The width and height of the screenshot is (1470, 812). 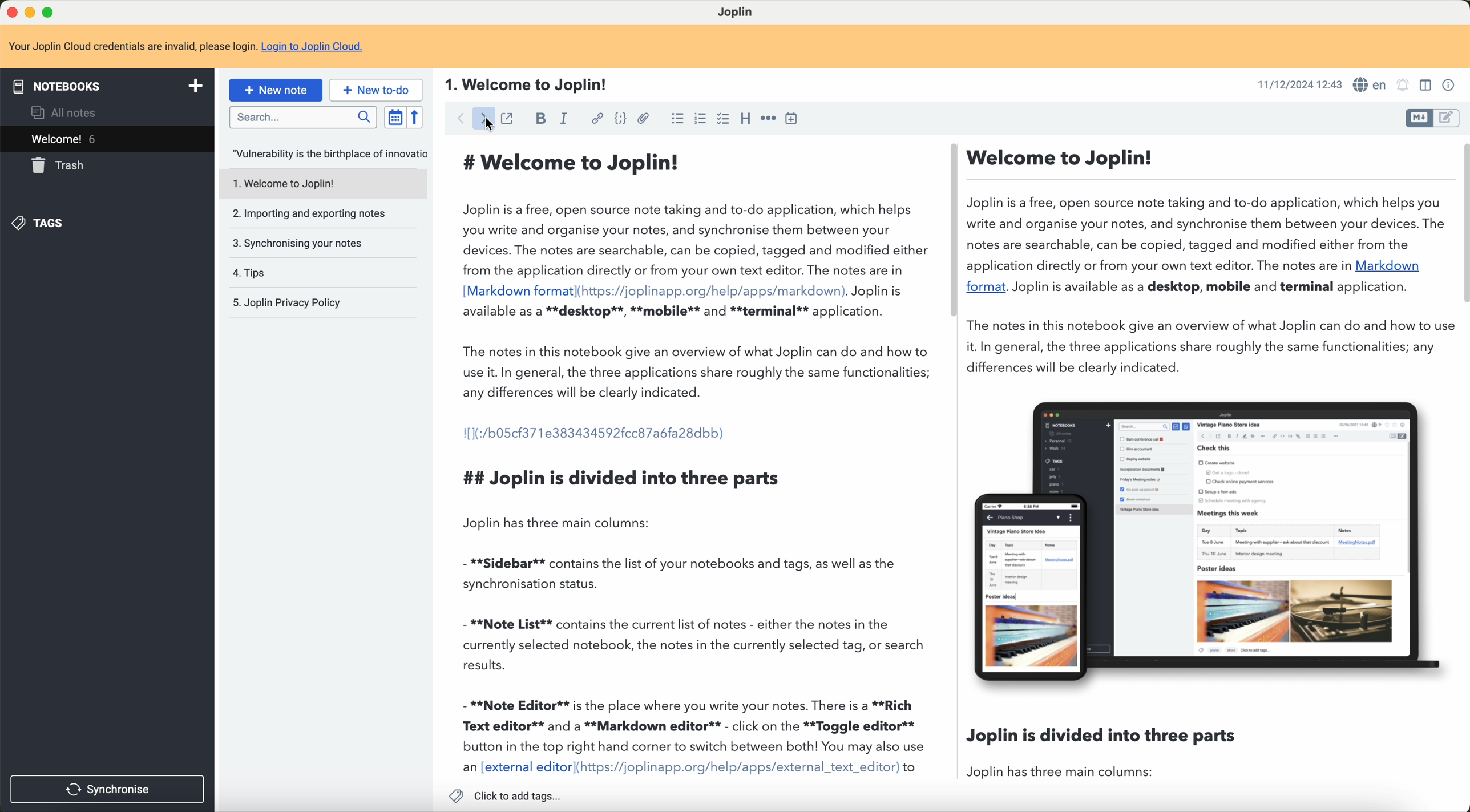 I want to click on toggle editor layout, so click(x=1427, y=84).